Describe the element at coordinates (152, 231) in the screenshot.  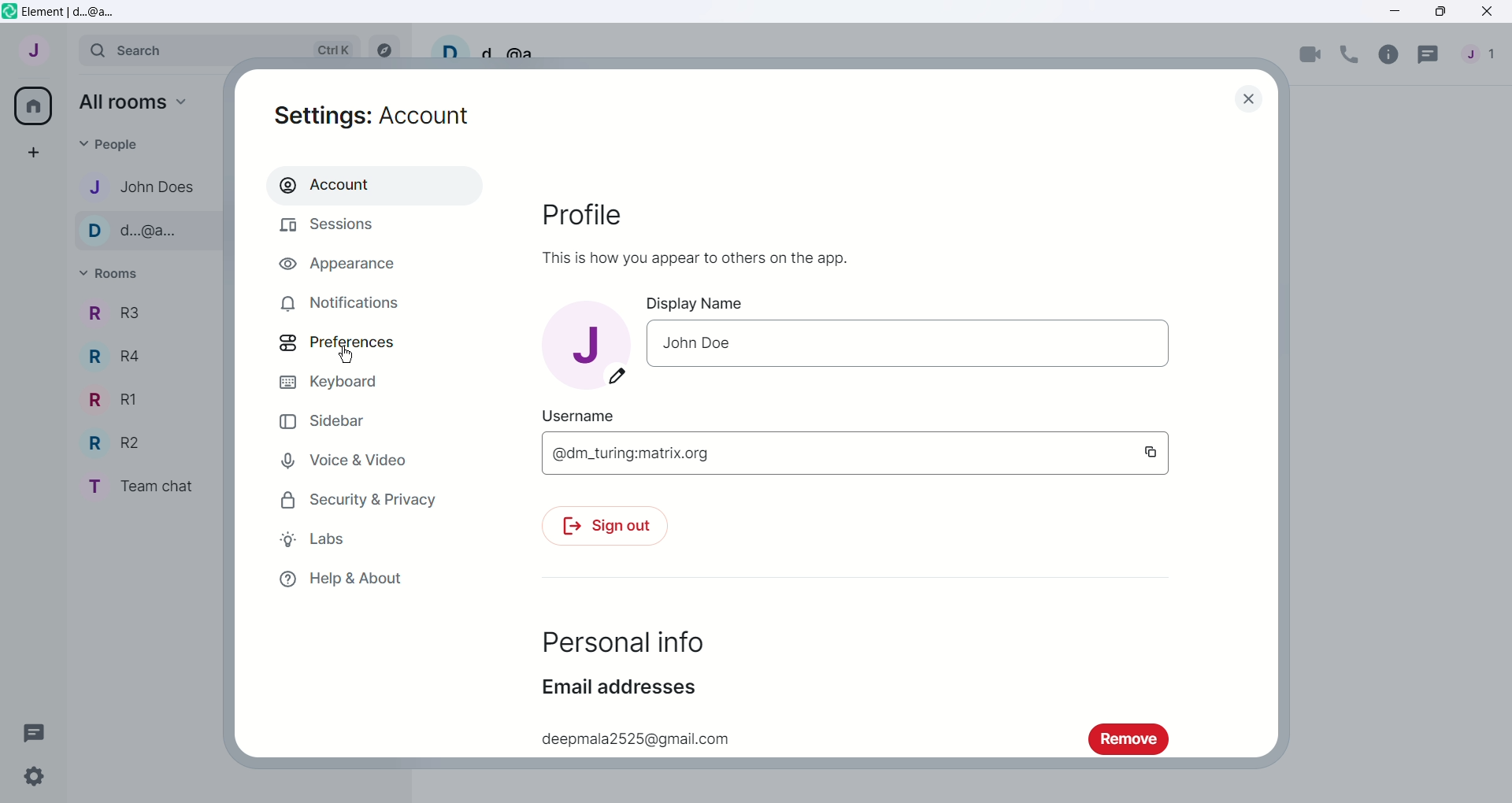
I see `d...@a... - Contact name` at that location.